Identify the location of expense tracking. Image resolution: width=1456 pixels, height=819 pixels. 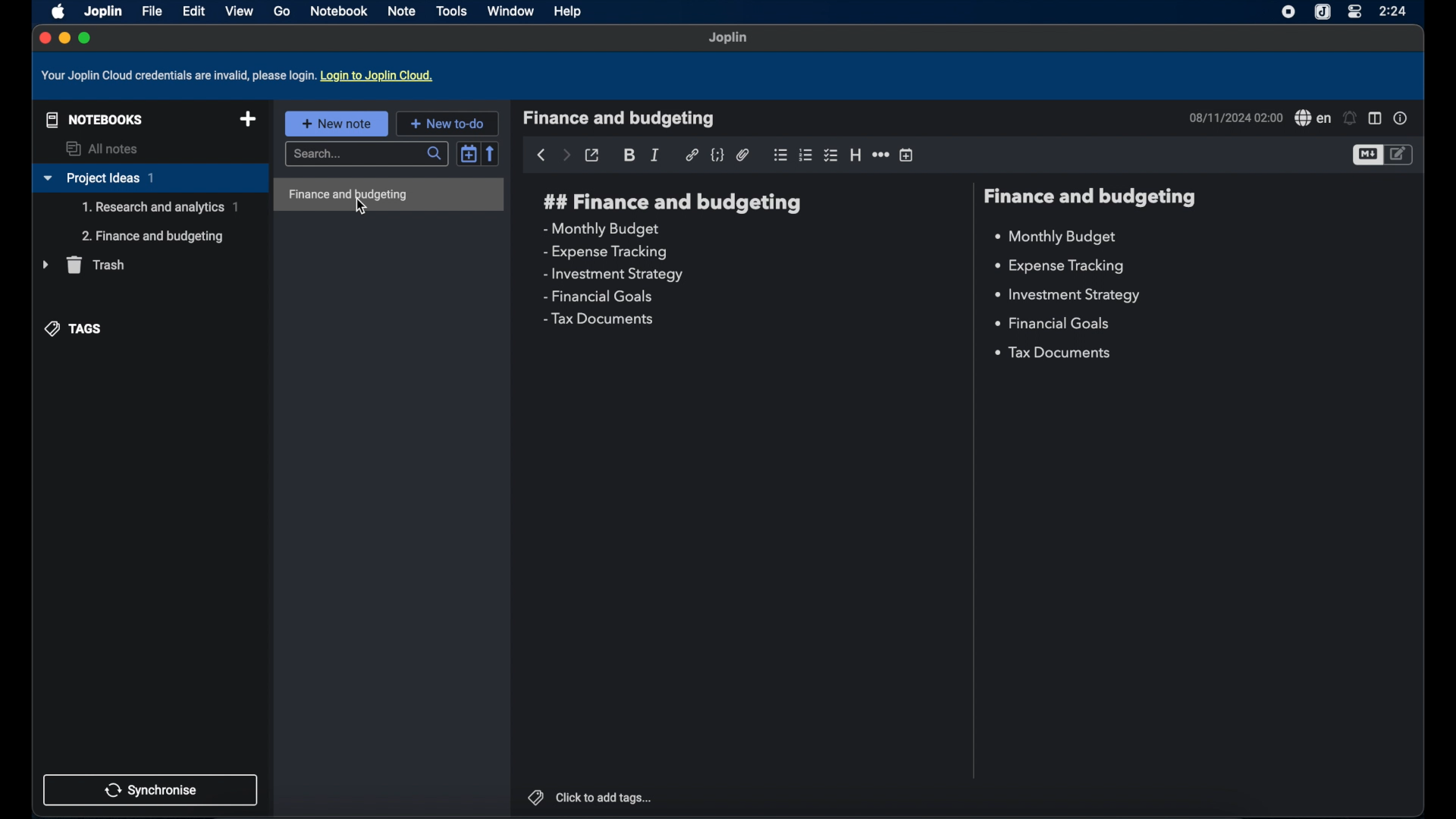
(1059, 267).